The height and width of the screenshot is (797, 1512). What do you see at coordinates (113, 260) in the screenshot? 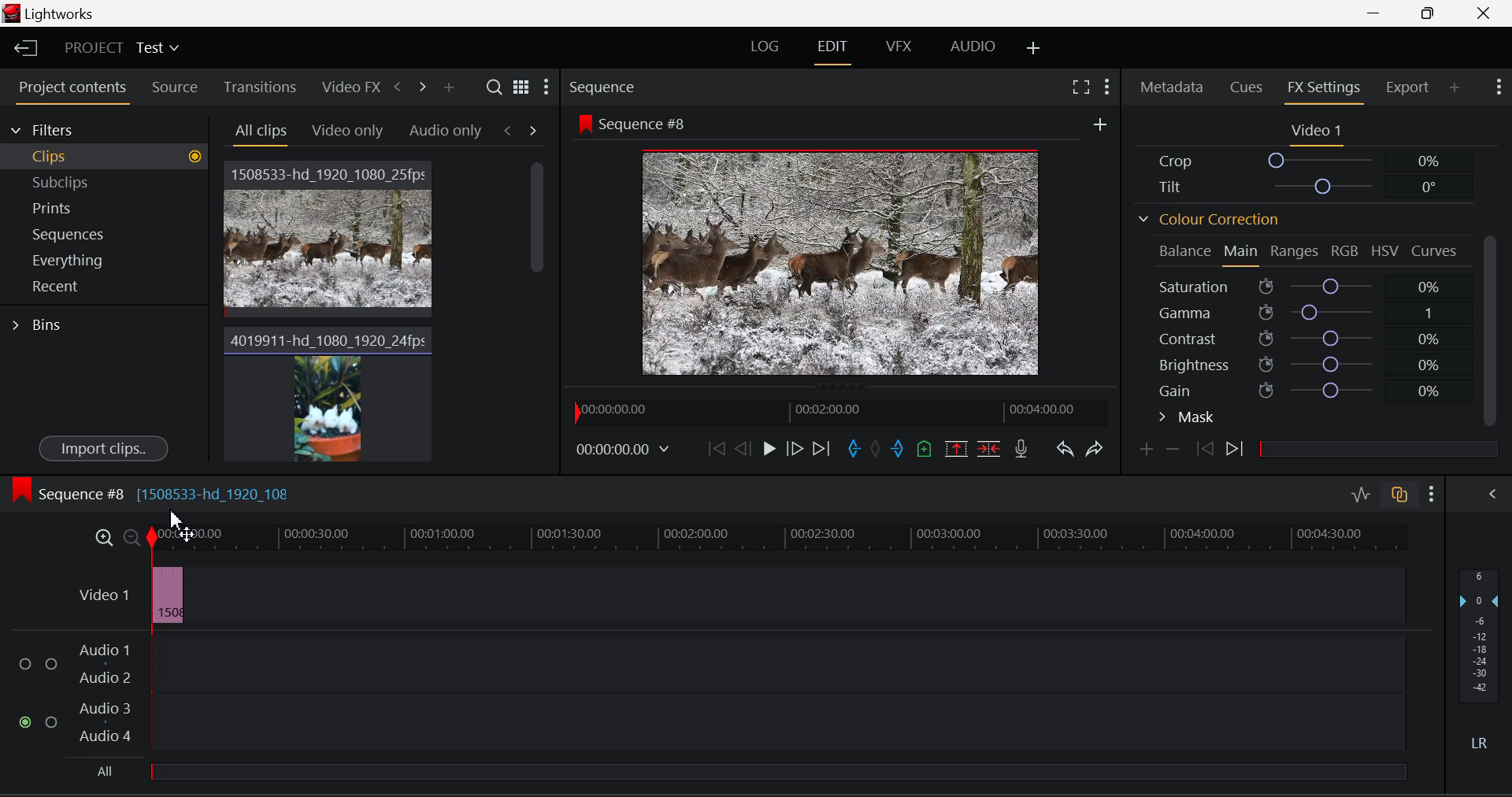
I see `Everything` at bounding box center [113, 260].